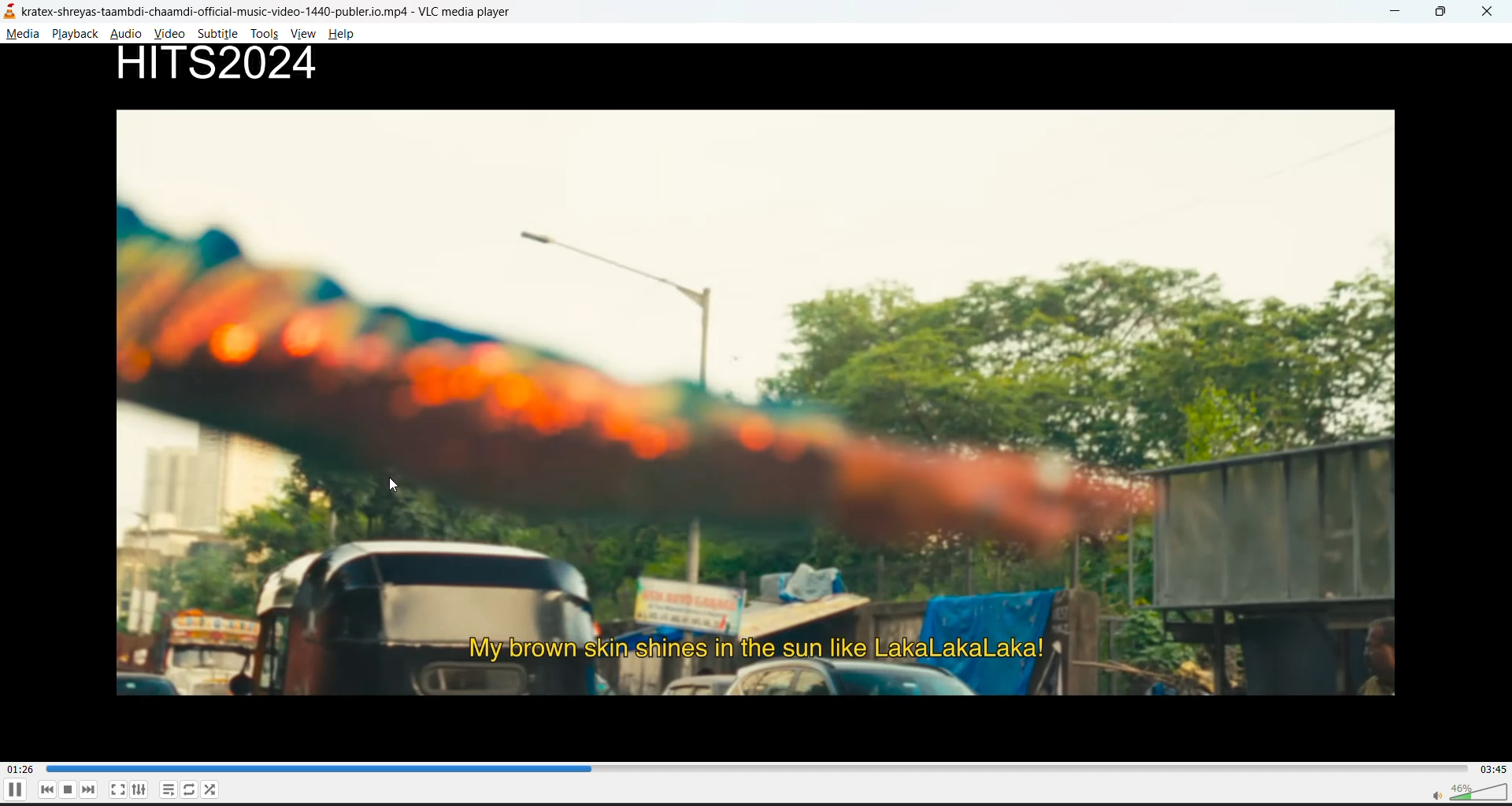 The image size is (1512, 806). I want to click on view, so click(305, 35).